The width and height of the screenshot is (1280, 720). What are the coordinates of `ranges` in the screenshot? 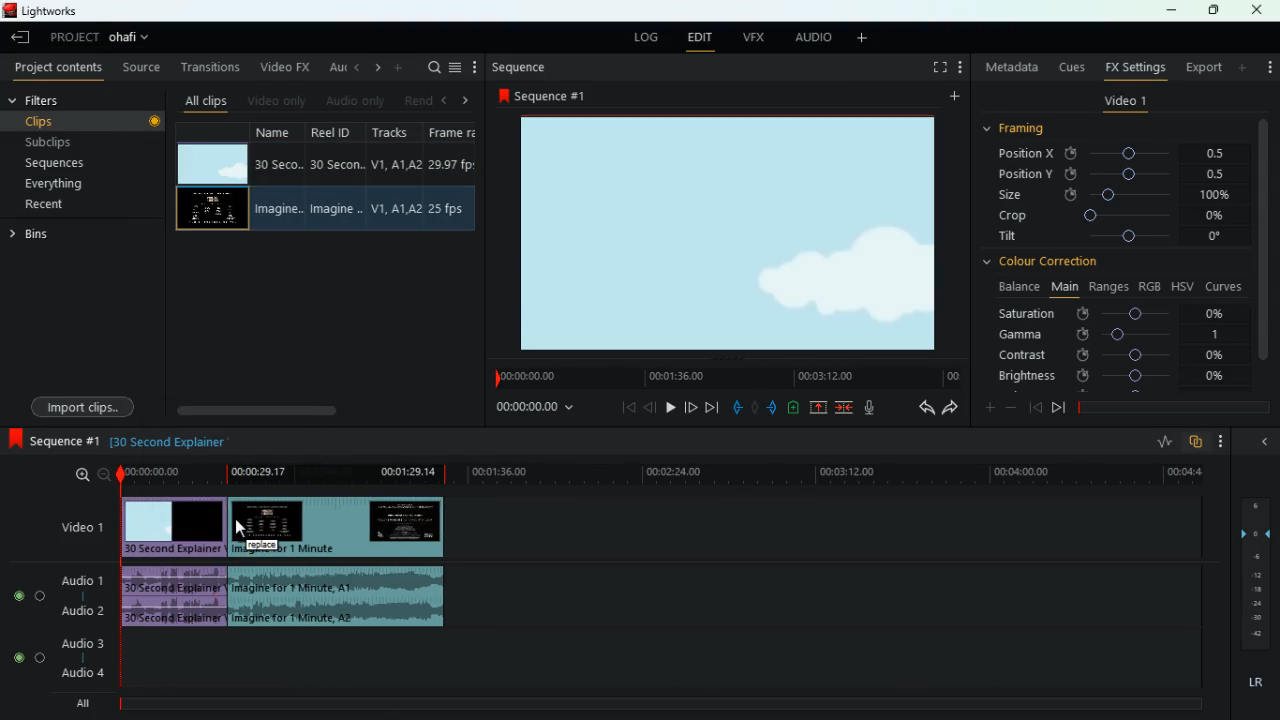 It's located at (1108, 286).